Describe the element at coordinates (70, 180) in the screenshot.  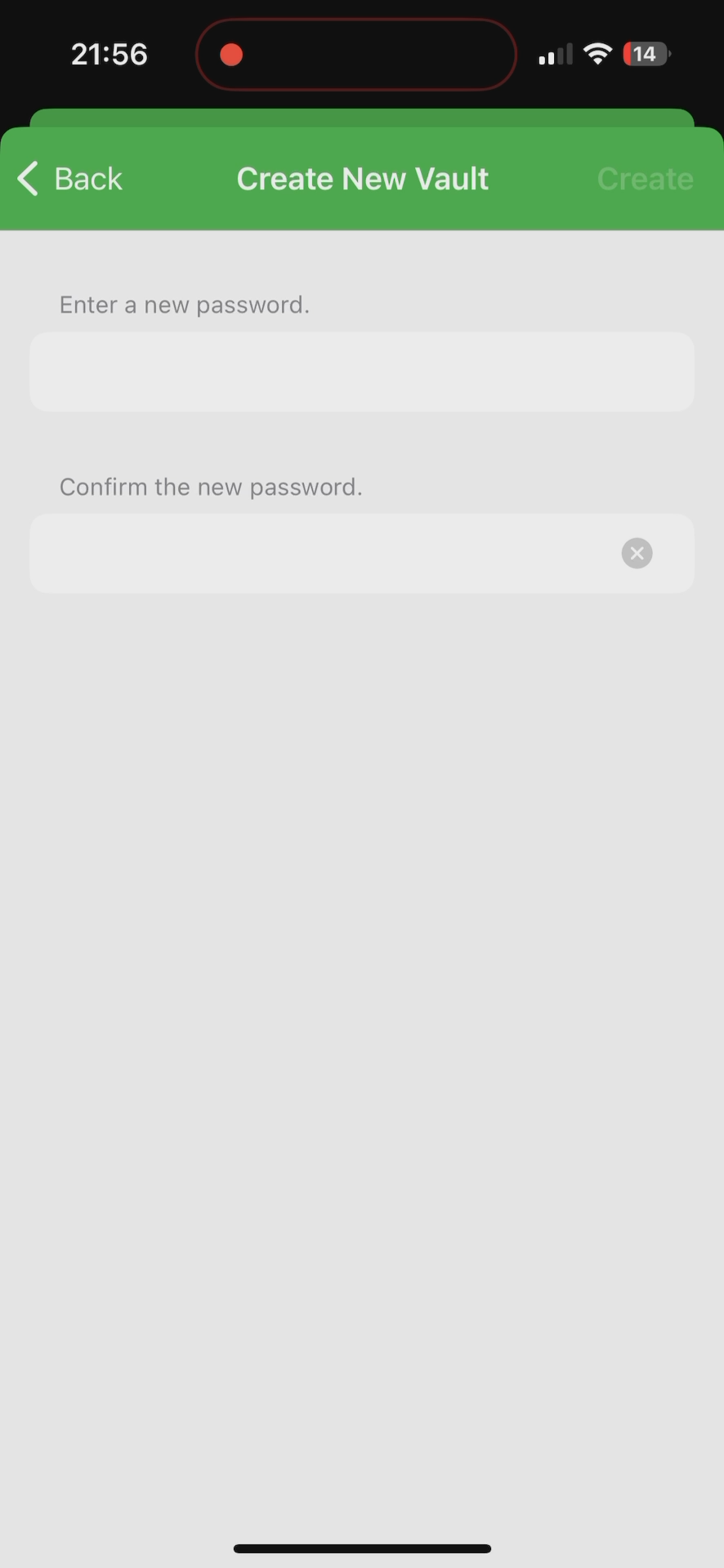
I see `back` at that location.